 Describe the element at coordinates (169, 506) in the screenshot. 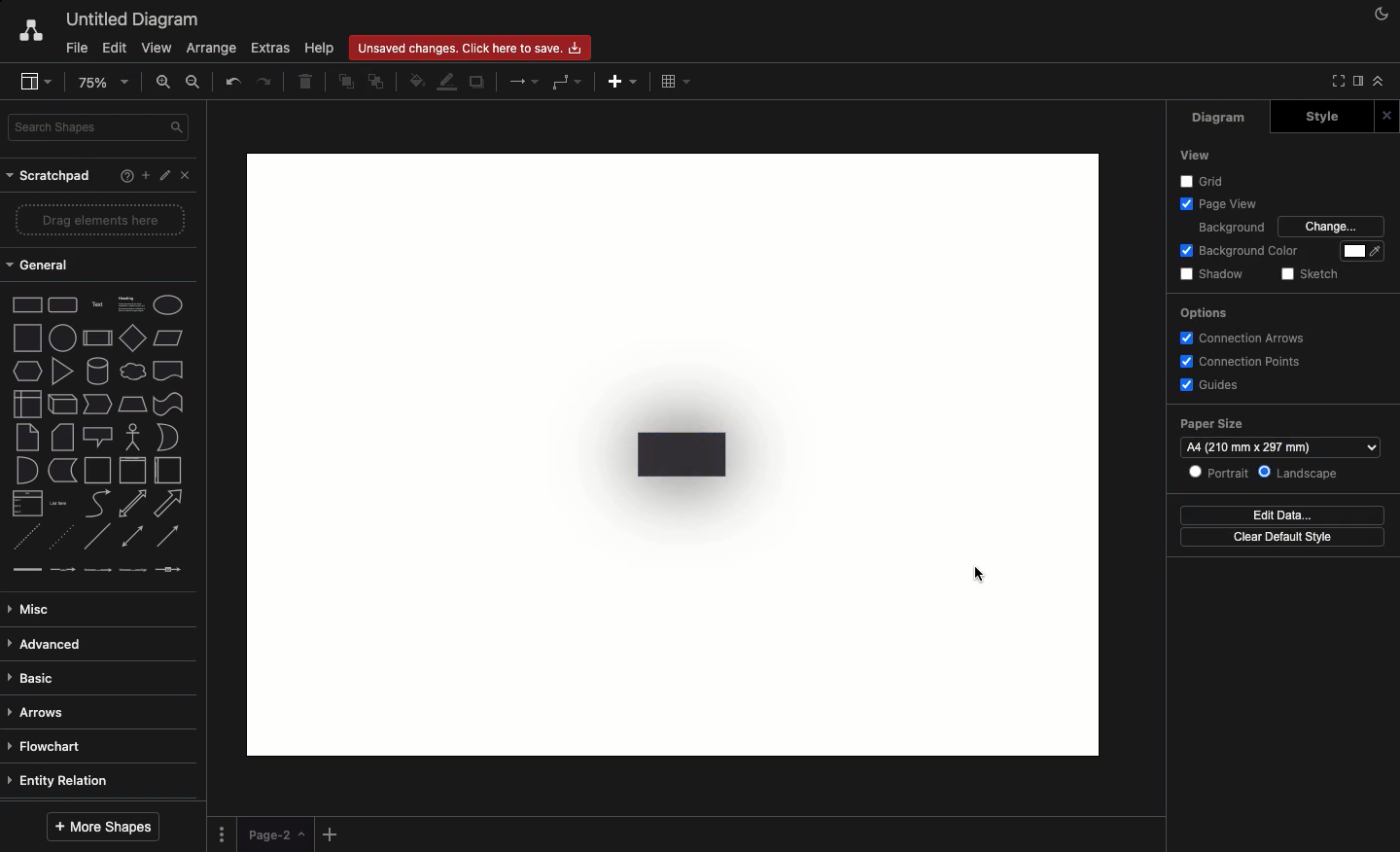

I see `arrow` at that location.